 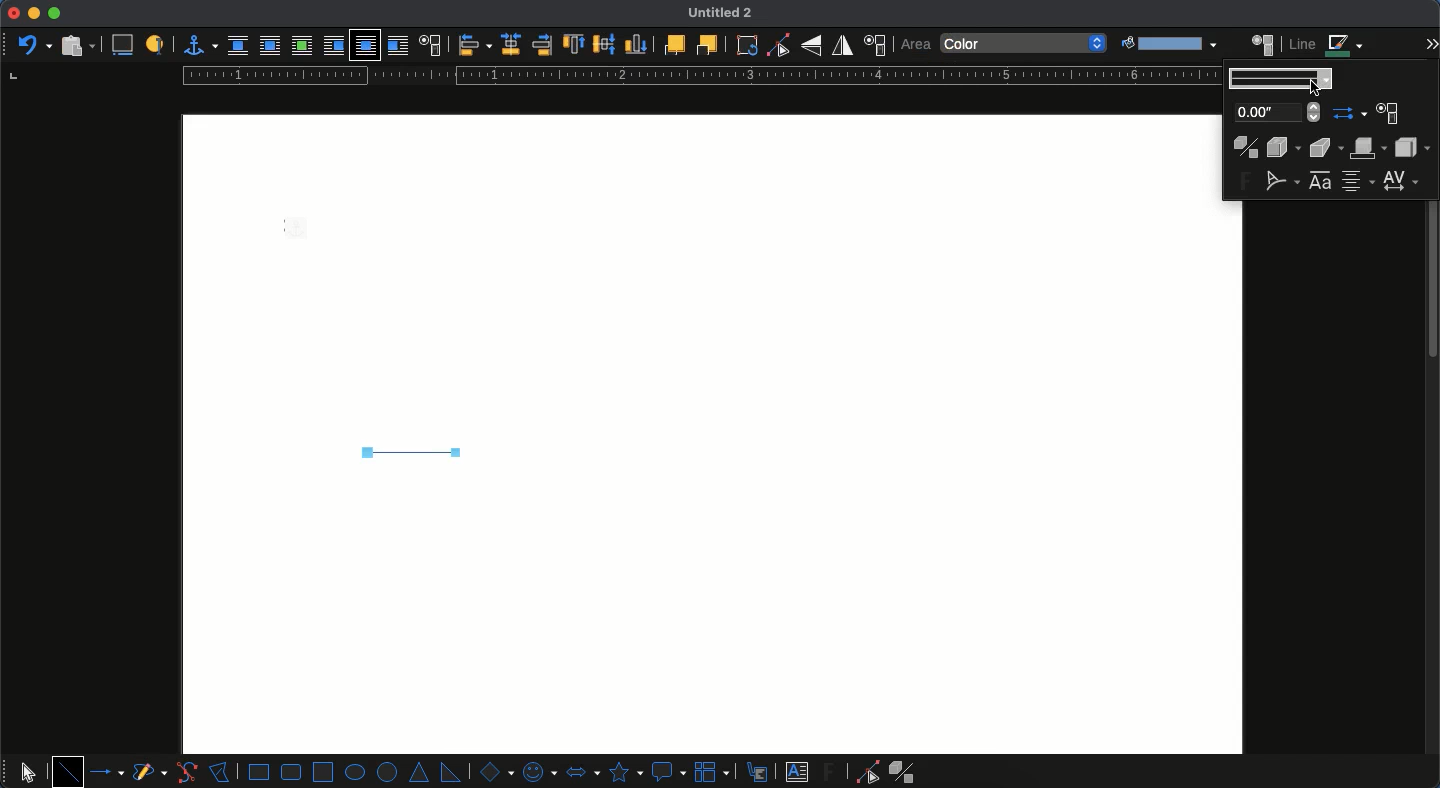 I want to click on square, so click(x=323, y=770).